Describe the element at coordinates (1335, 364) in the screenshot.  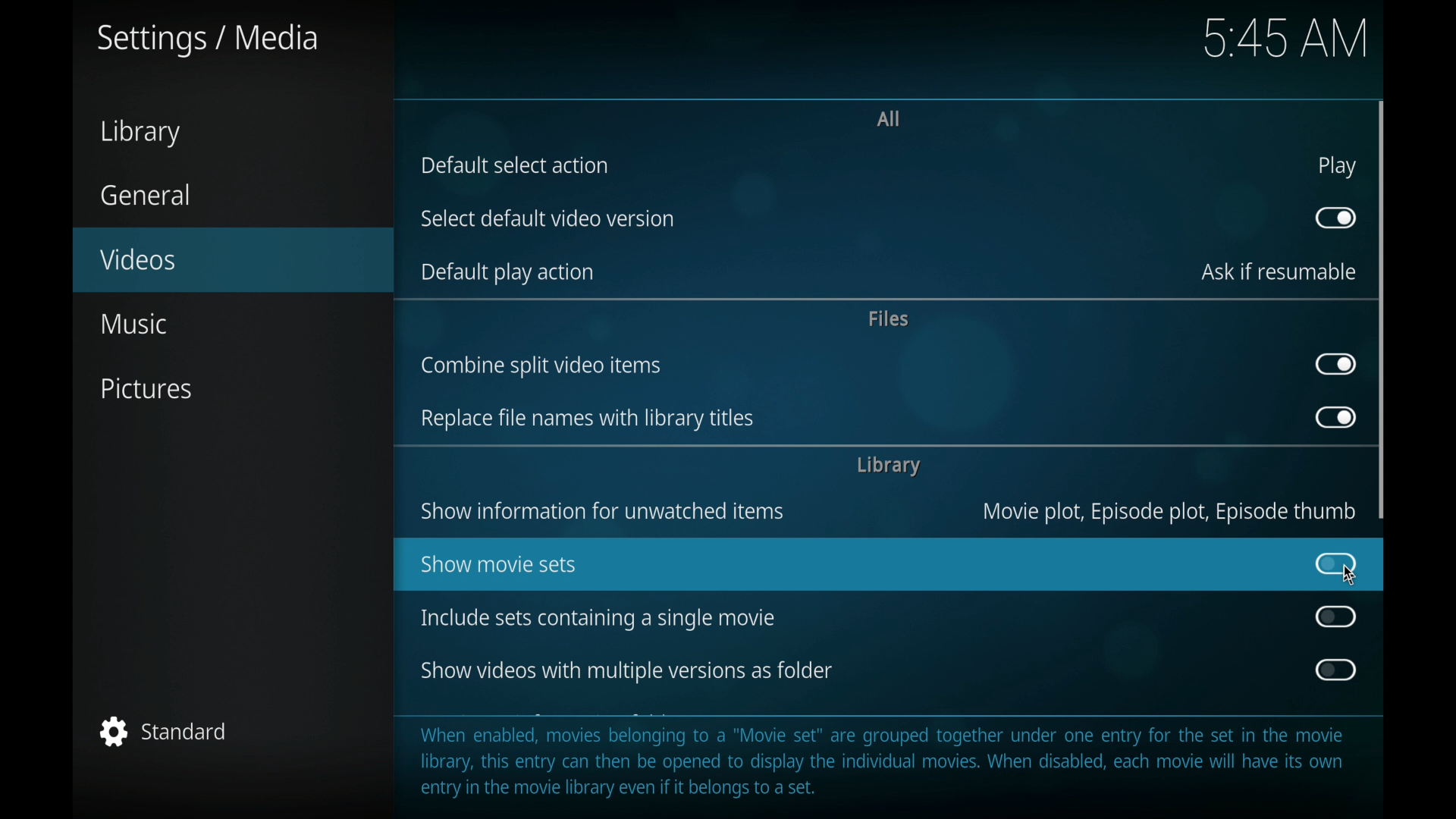
I see `toggle button` at that location.